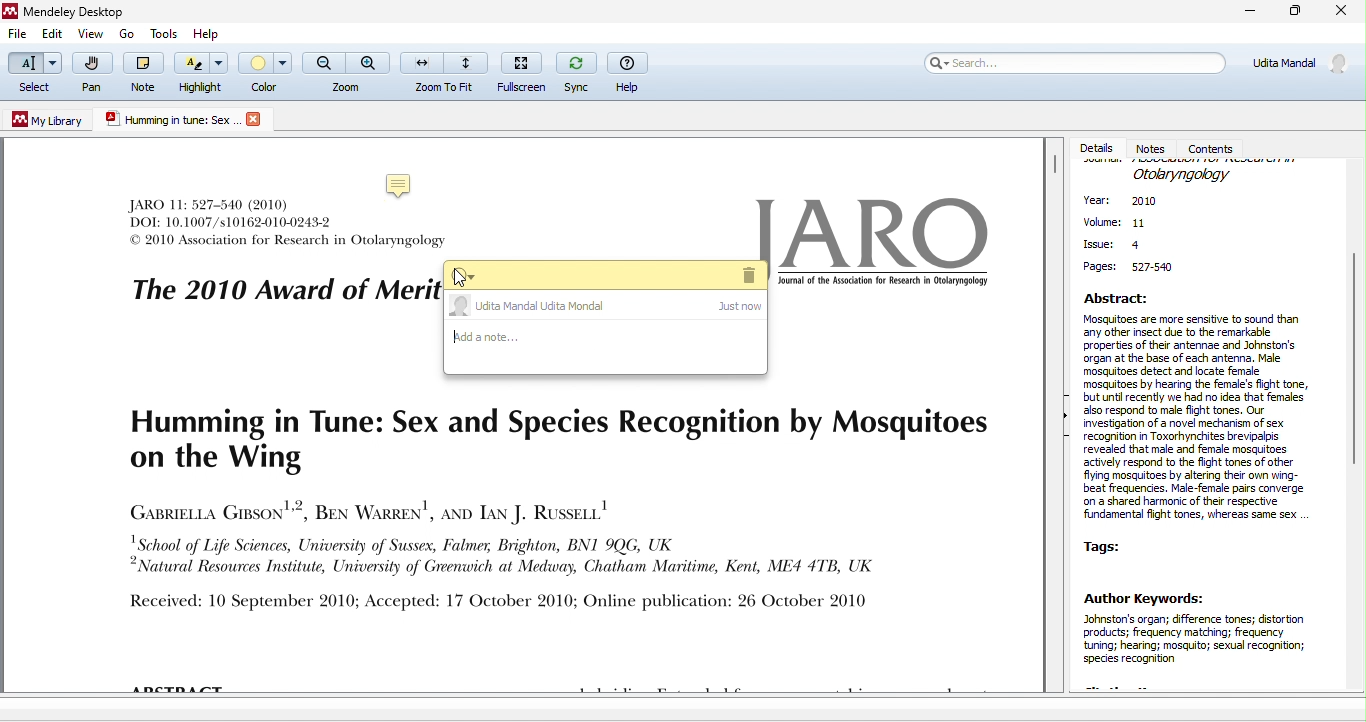 The image size is (1366, 722). Describe the element at coordinates (53, 36) in the screenshot. I see `edit` at that location.